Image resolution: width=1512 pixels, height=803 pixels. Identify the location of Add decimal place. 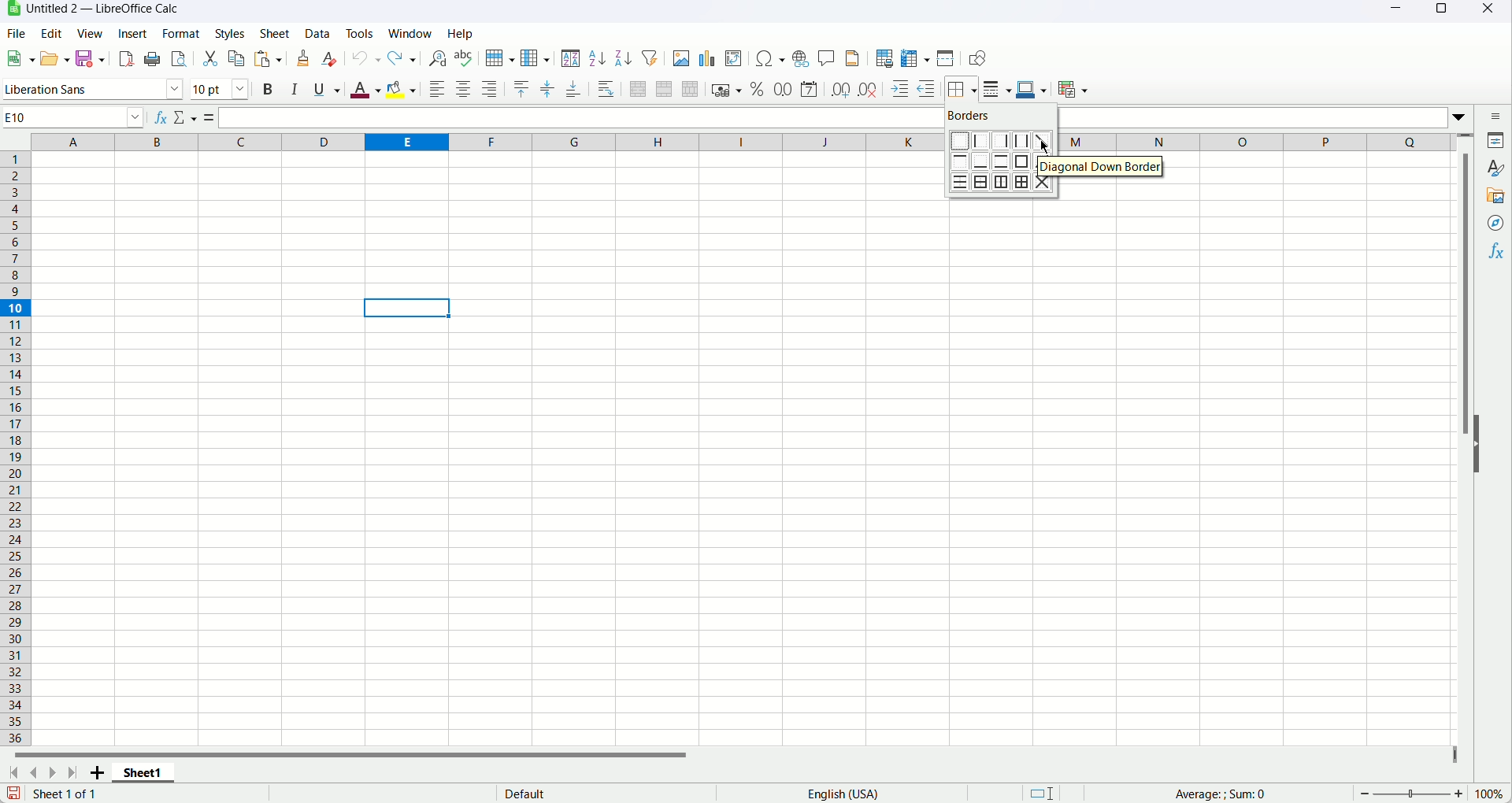
(839, 88).